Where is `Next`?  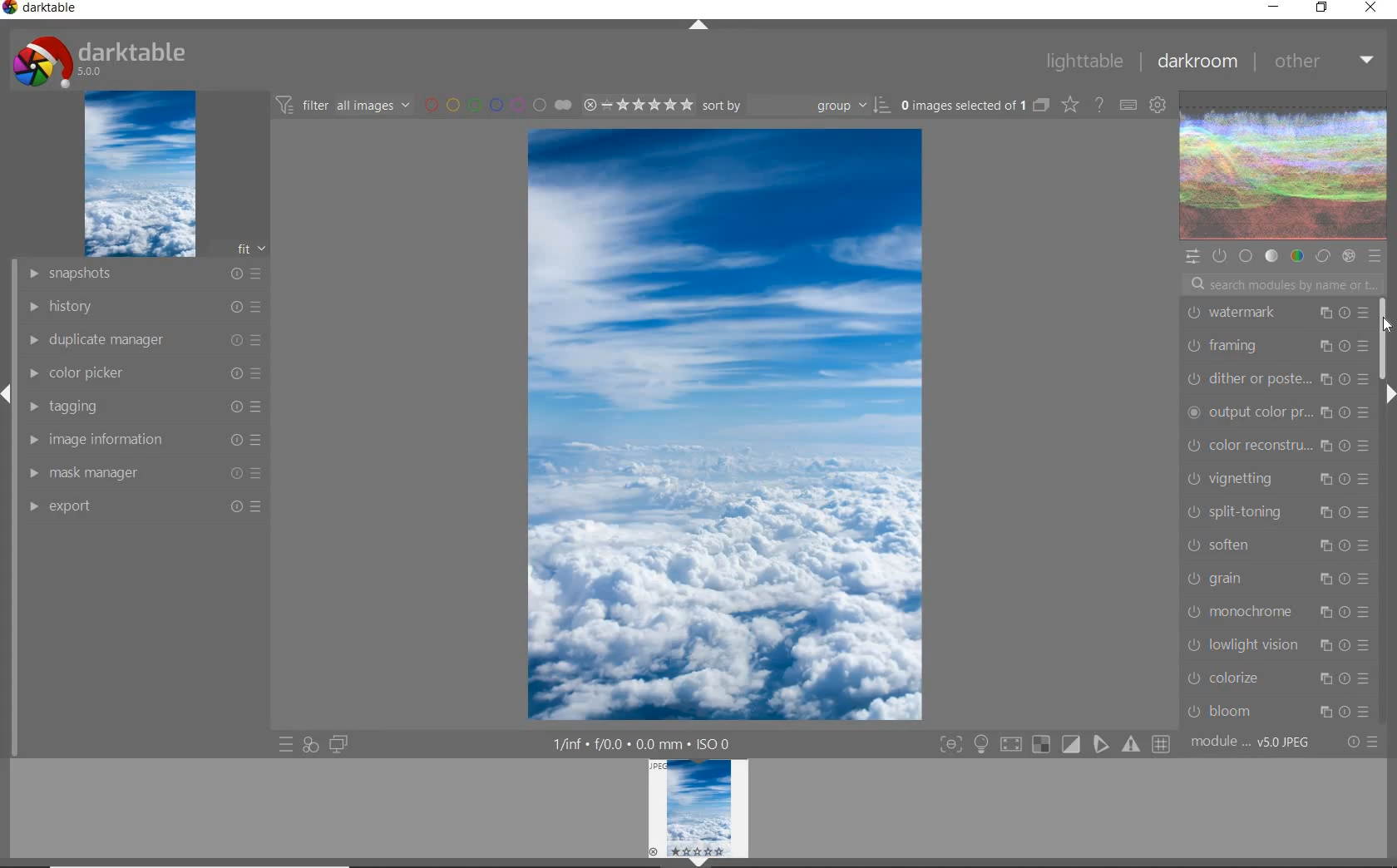 Next is located at coordinates (1389, 394).